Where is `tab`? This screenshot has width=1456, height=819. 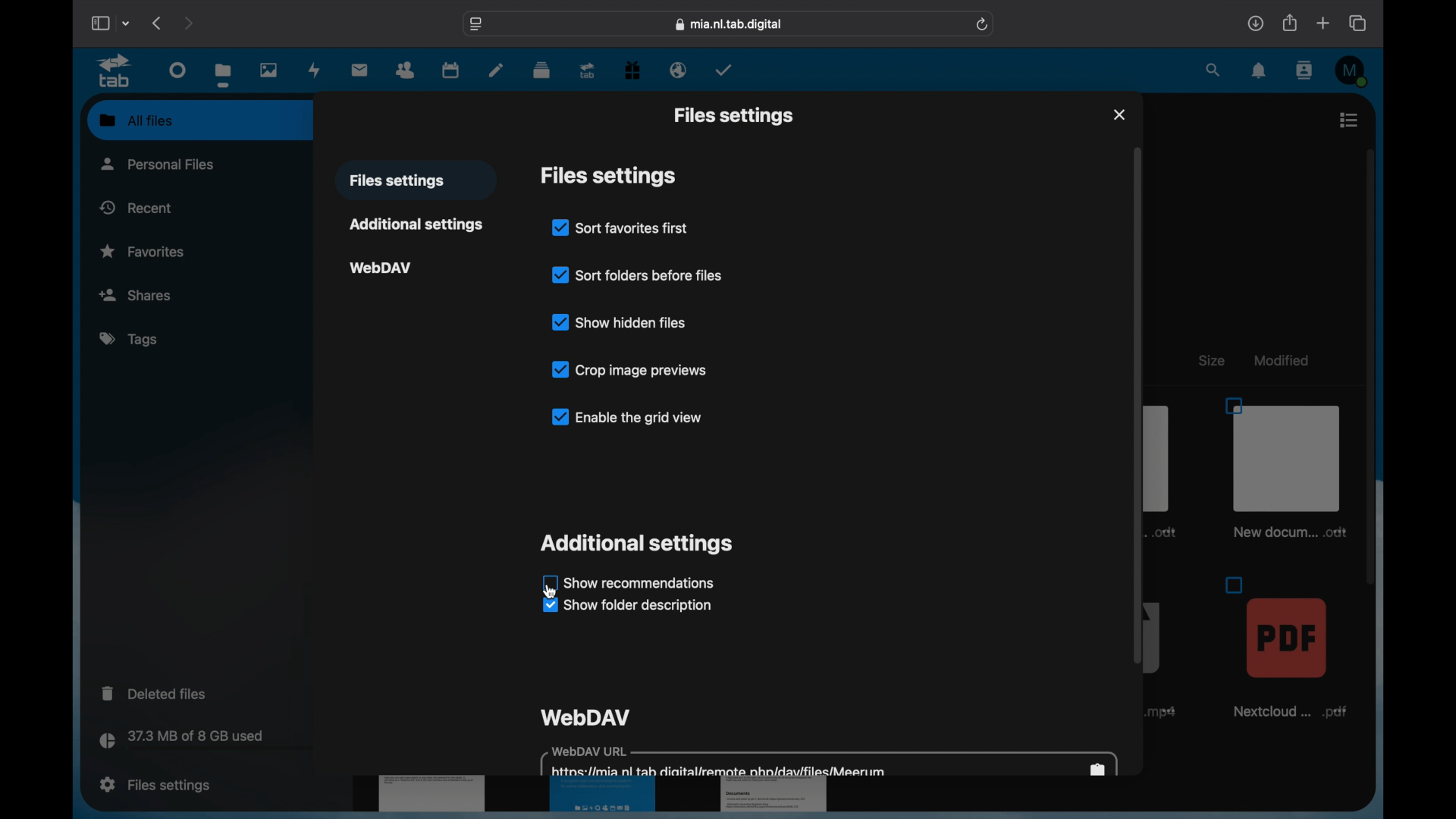 tab is located at coordinates (588, 71).